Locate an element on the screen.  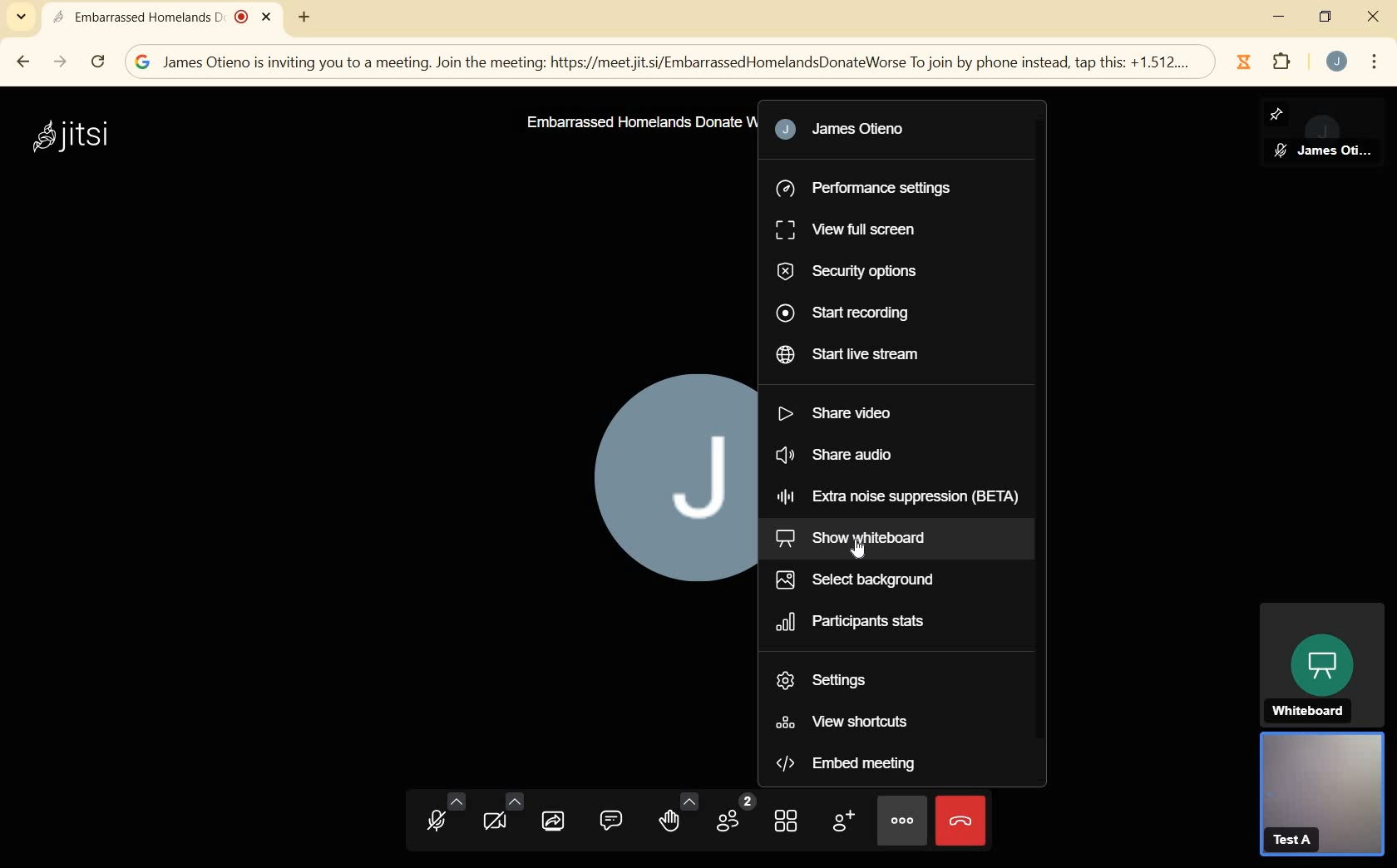
SELECT BACKGROUND is located at coordinates (864, 578).